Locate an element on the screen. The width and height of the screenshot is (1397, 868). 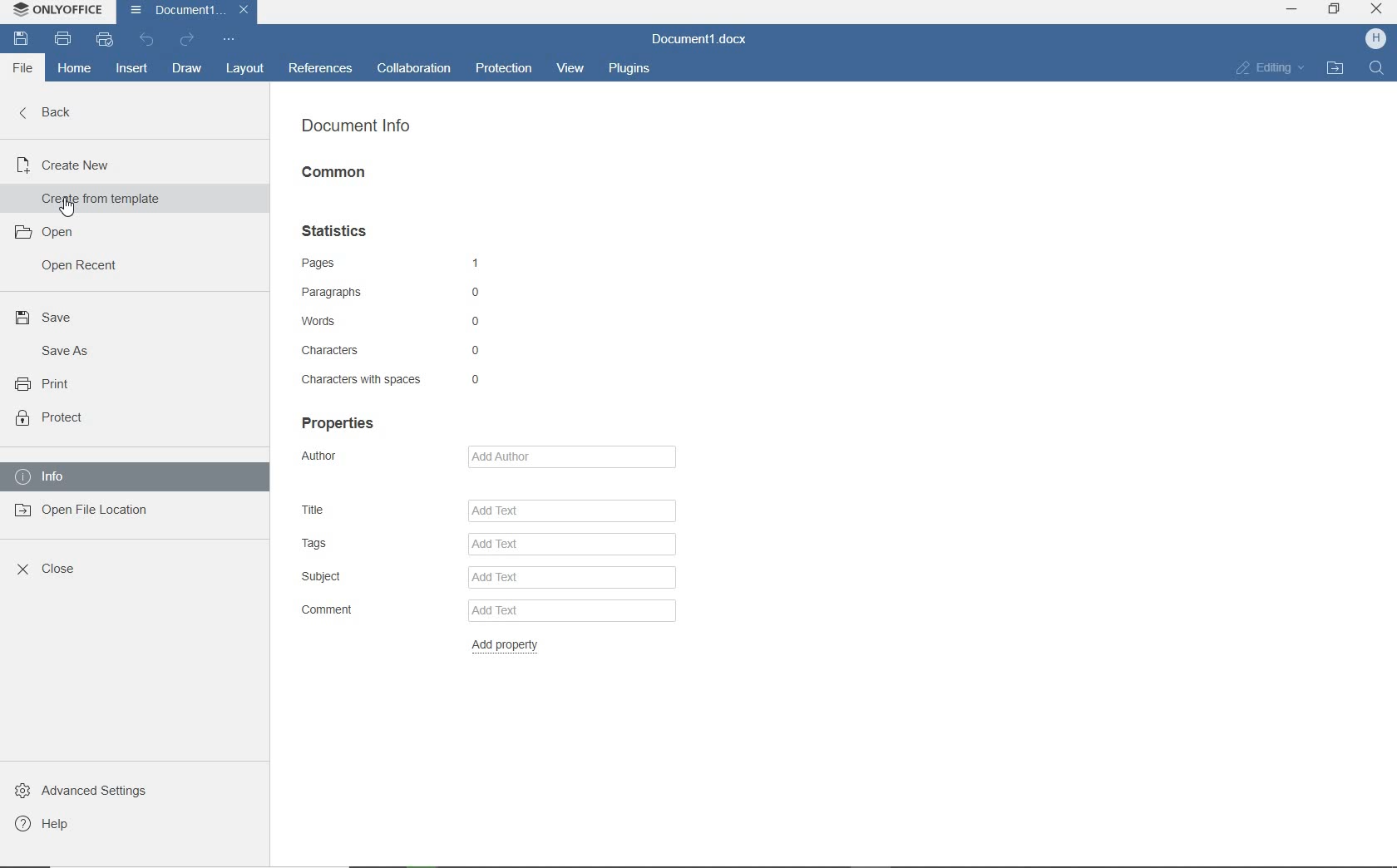
hp is located at coordinates (1375, 39).